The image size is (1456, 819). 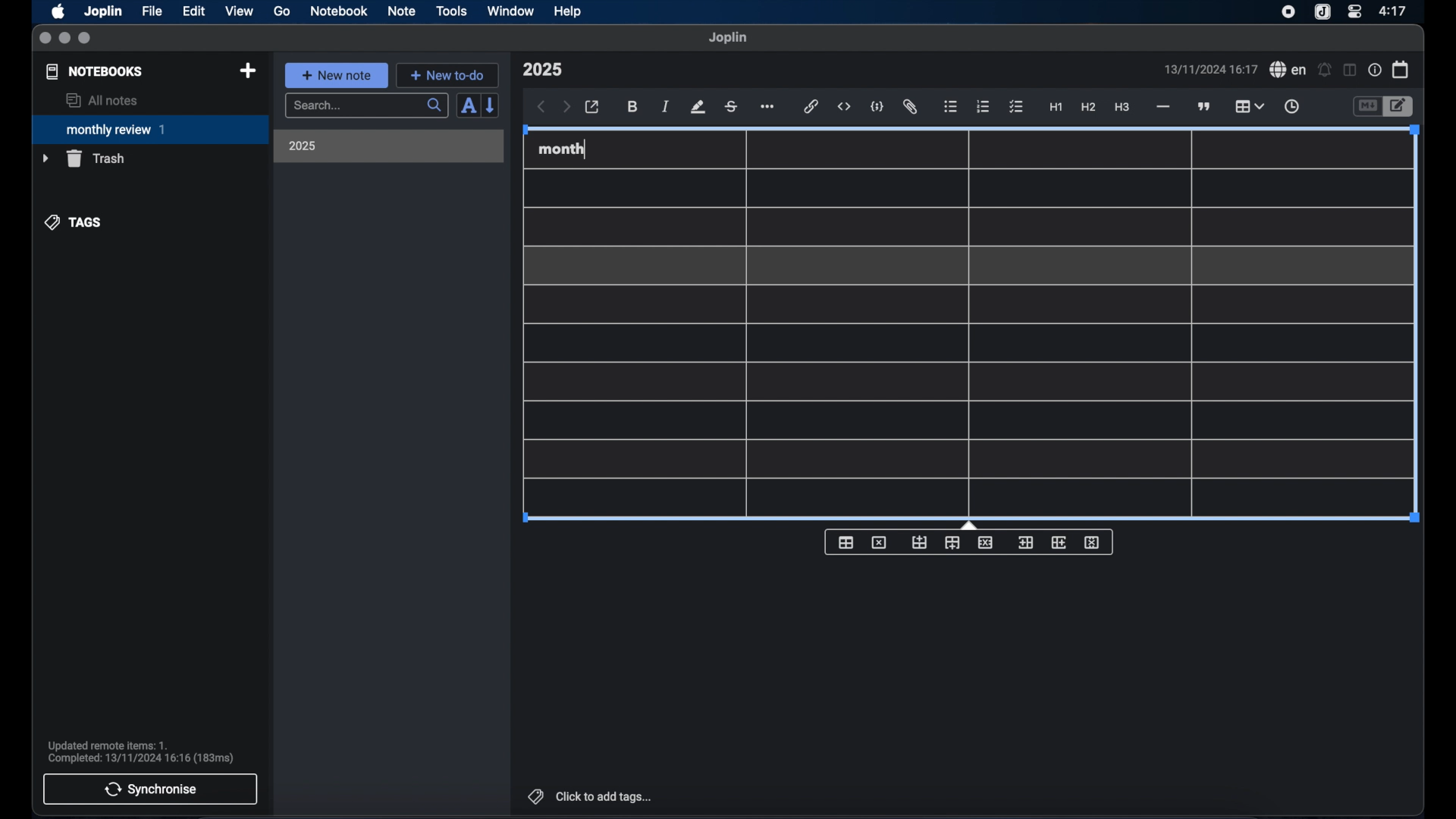 What do you see at coordinates (1210, 69) in the screenshot?
I see `date` at bounding box center [1210, 69].